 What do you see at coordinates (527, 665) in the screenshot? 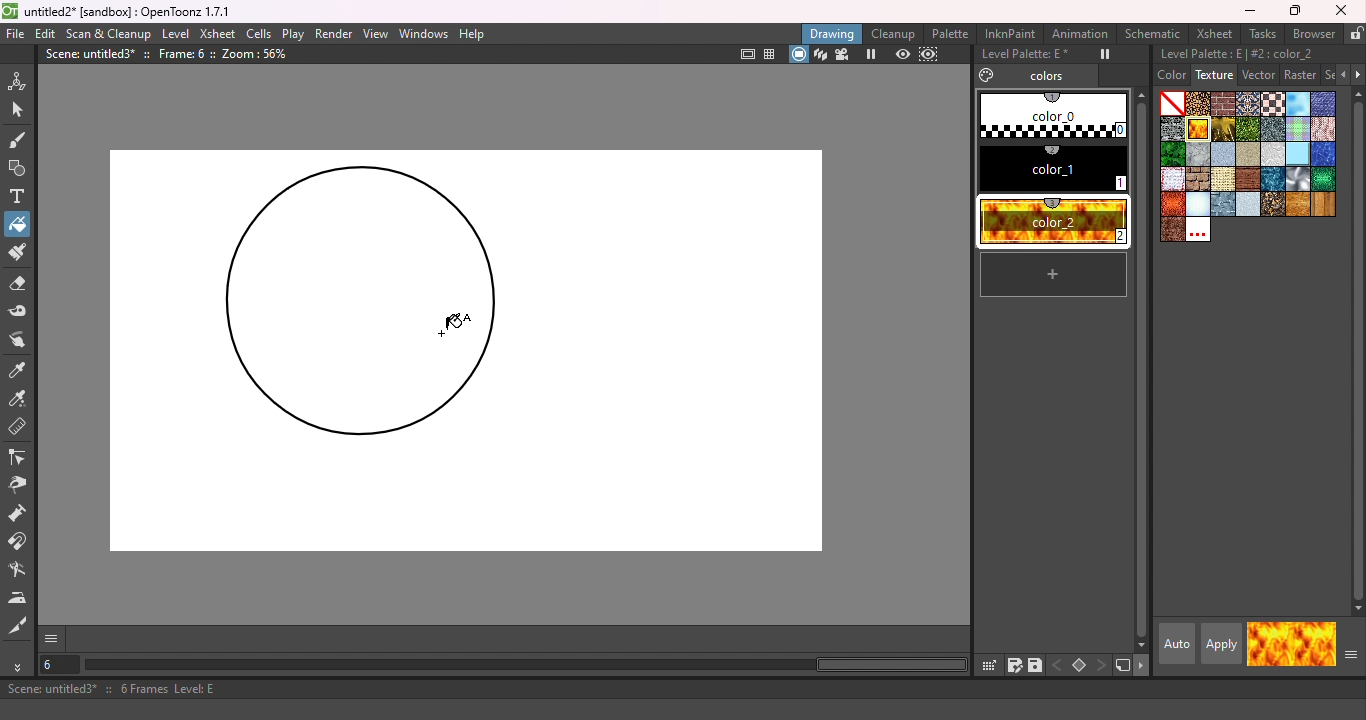
I see `horizontal scroll bar` at bounding box center [527, 665].